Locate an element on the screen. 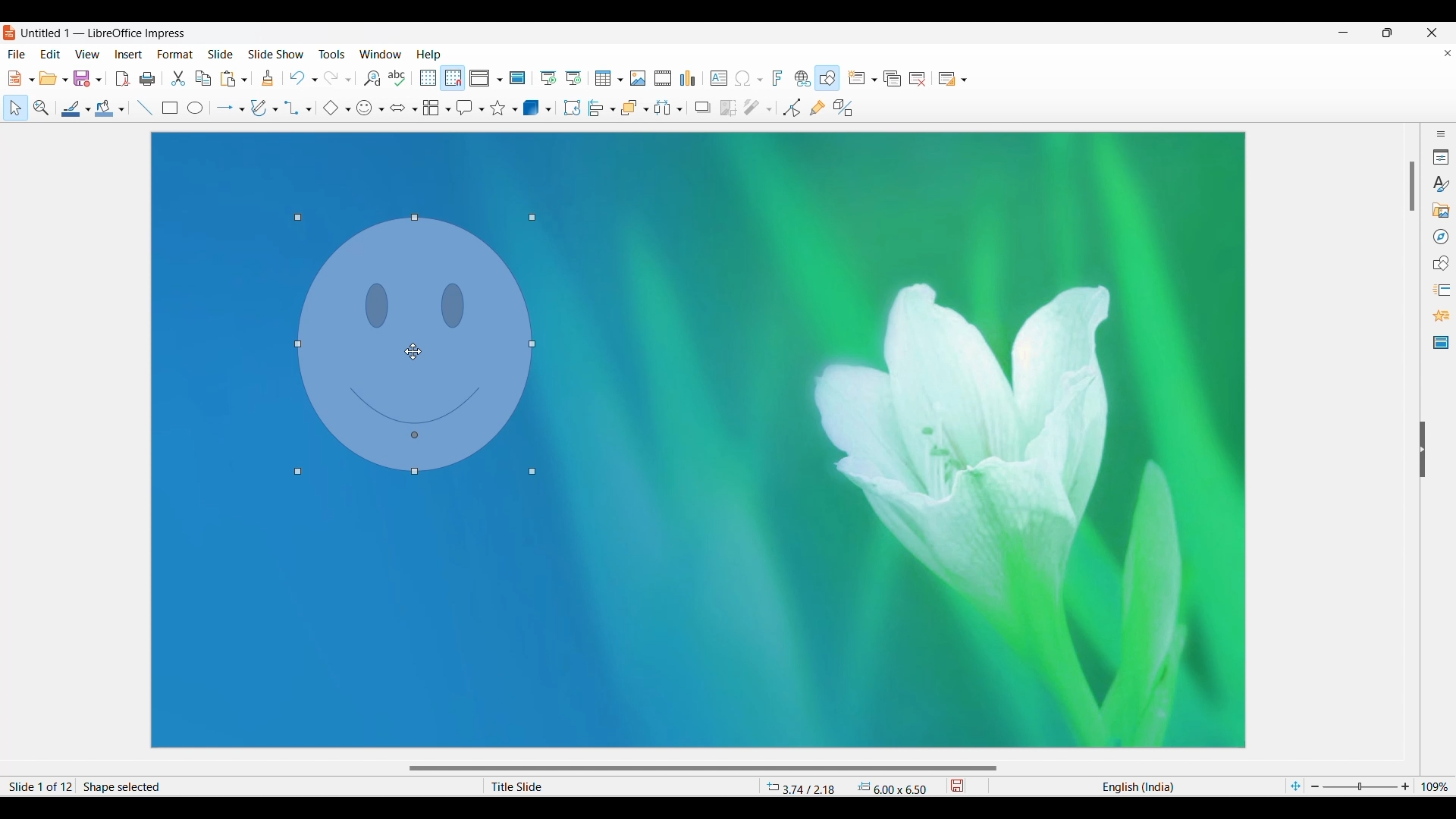  3.74 / 2.18 is located at coordinates (804, 786).